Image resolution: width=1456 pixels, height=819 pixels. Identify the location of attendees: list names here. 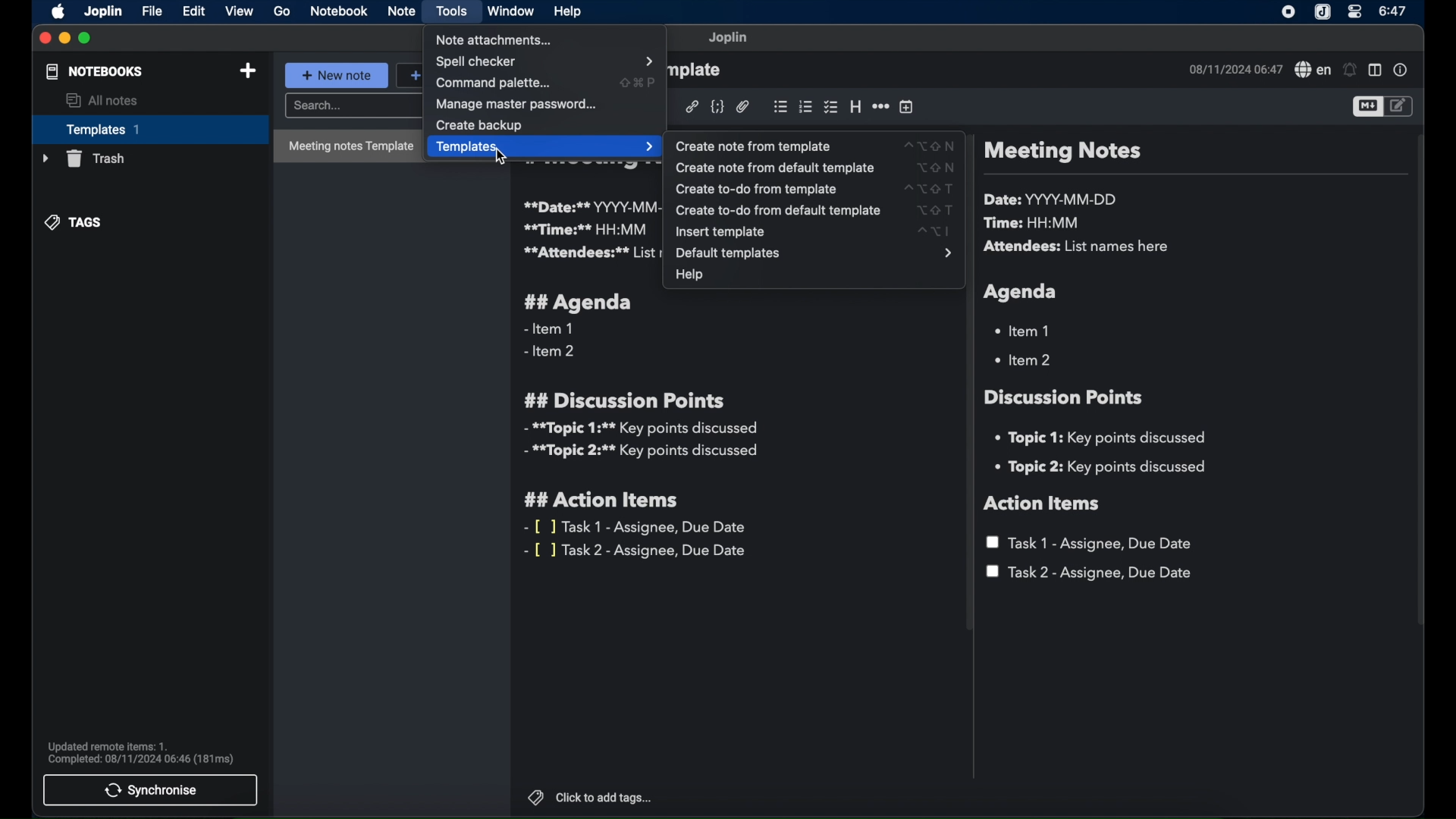
(1079, 247).